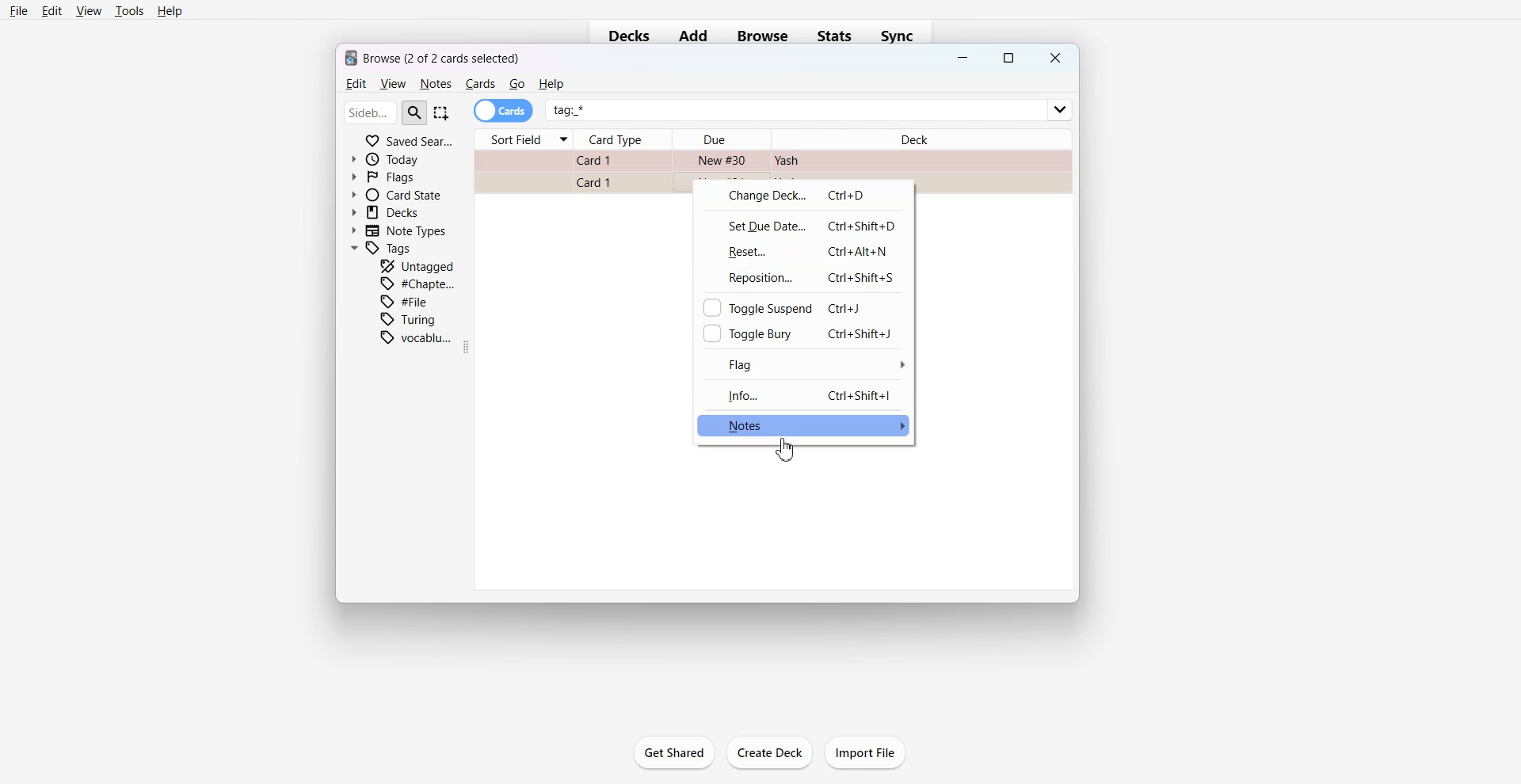 This screenshot has width=1521, height=784. I want to click on Get Shared, so click(673, 752).